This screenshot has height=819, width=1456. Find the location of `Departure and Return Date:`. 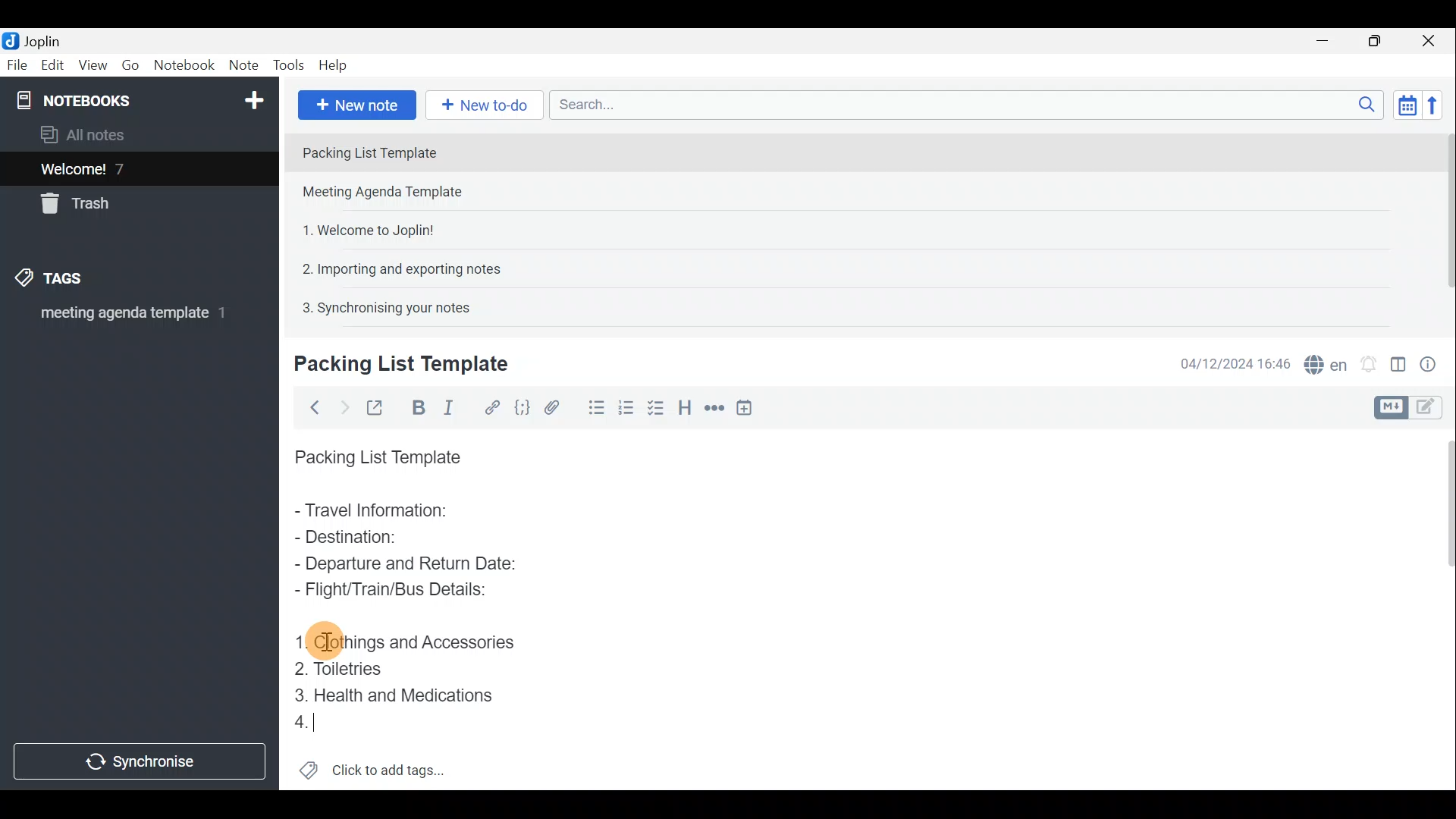

Departure and Return Date: is located at coordinates (406, 563).